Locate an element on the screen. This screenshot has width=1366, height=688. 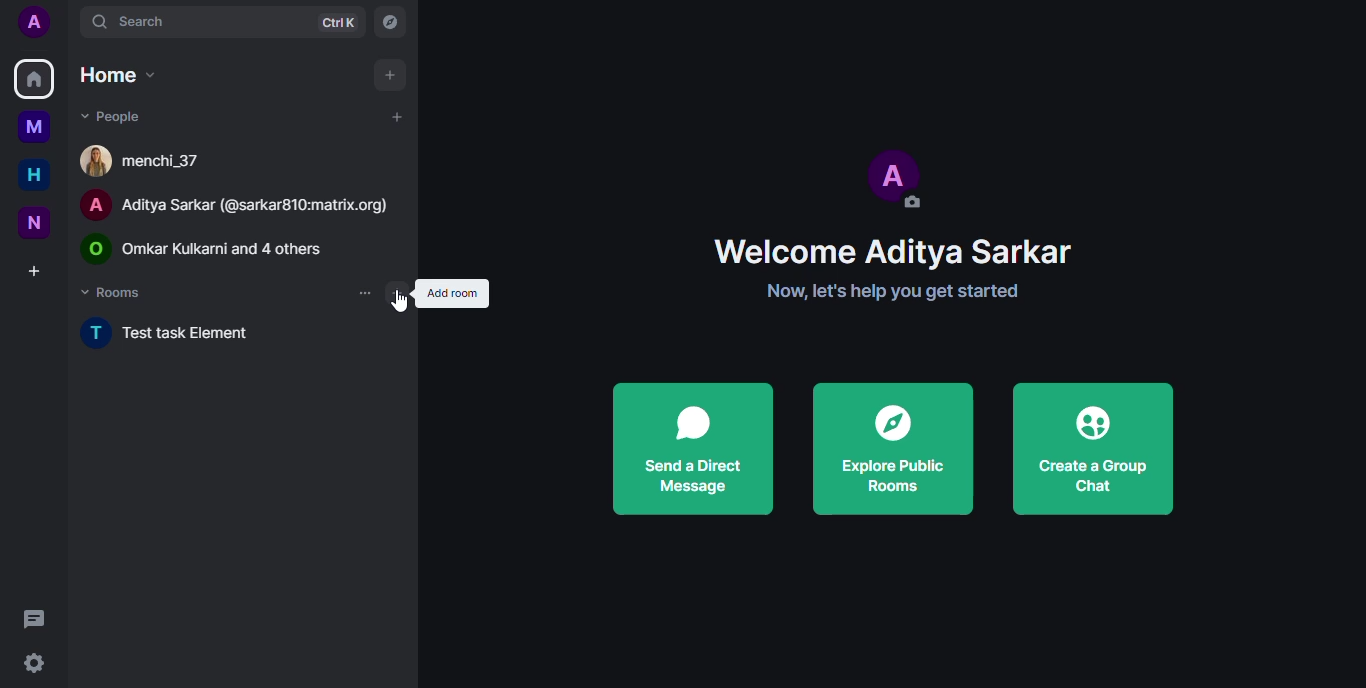
add room is located at coordinates (452, 294).